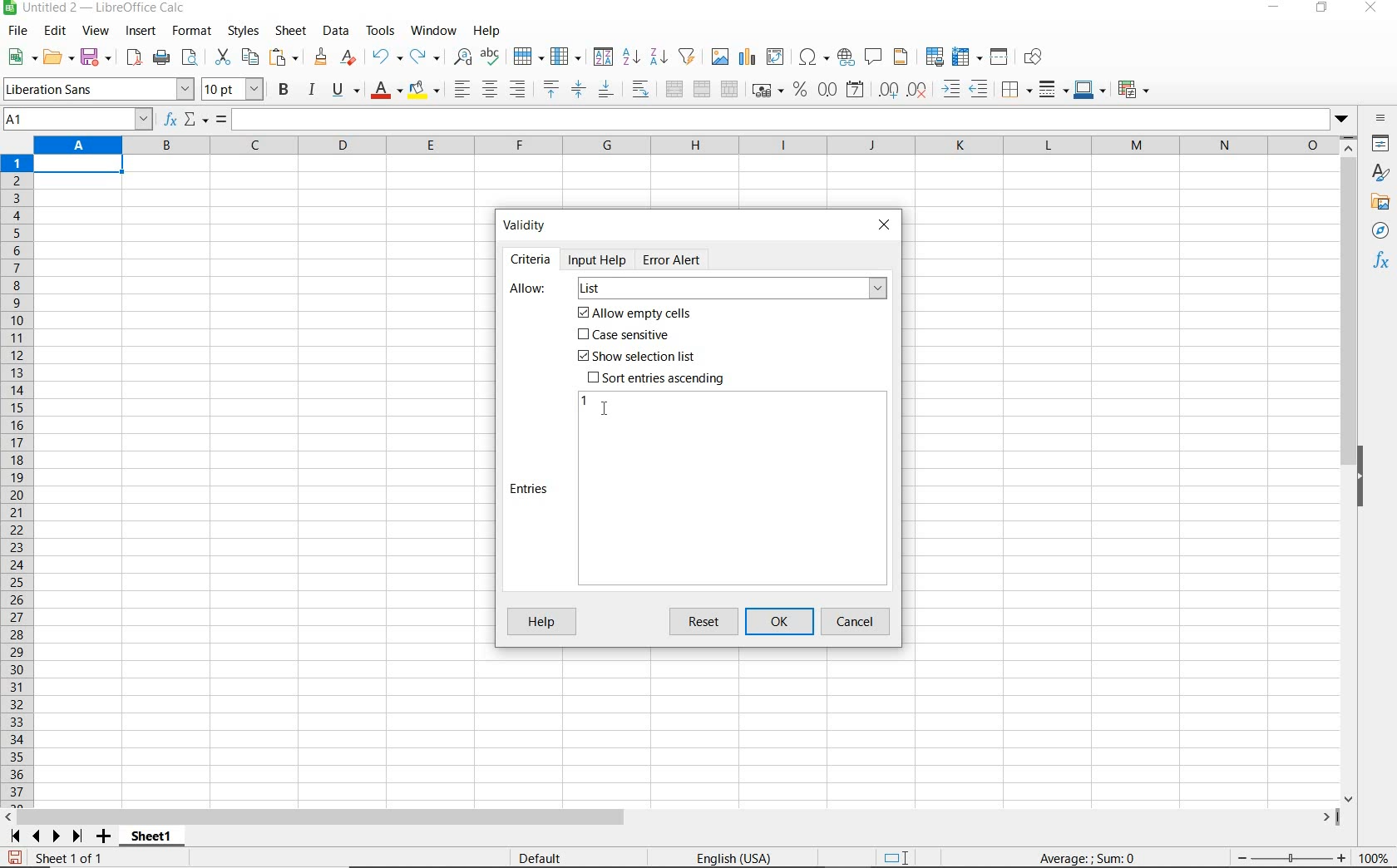 The height and width of the screenshot is (868, 1397). I want to click on functions, so click(1384, 262).